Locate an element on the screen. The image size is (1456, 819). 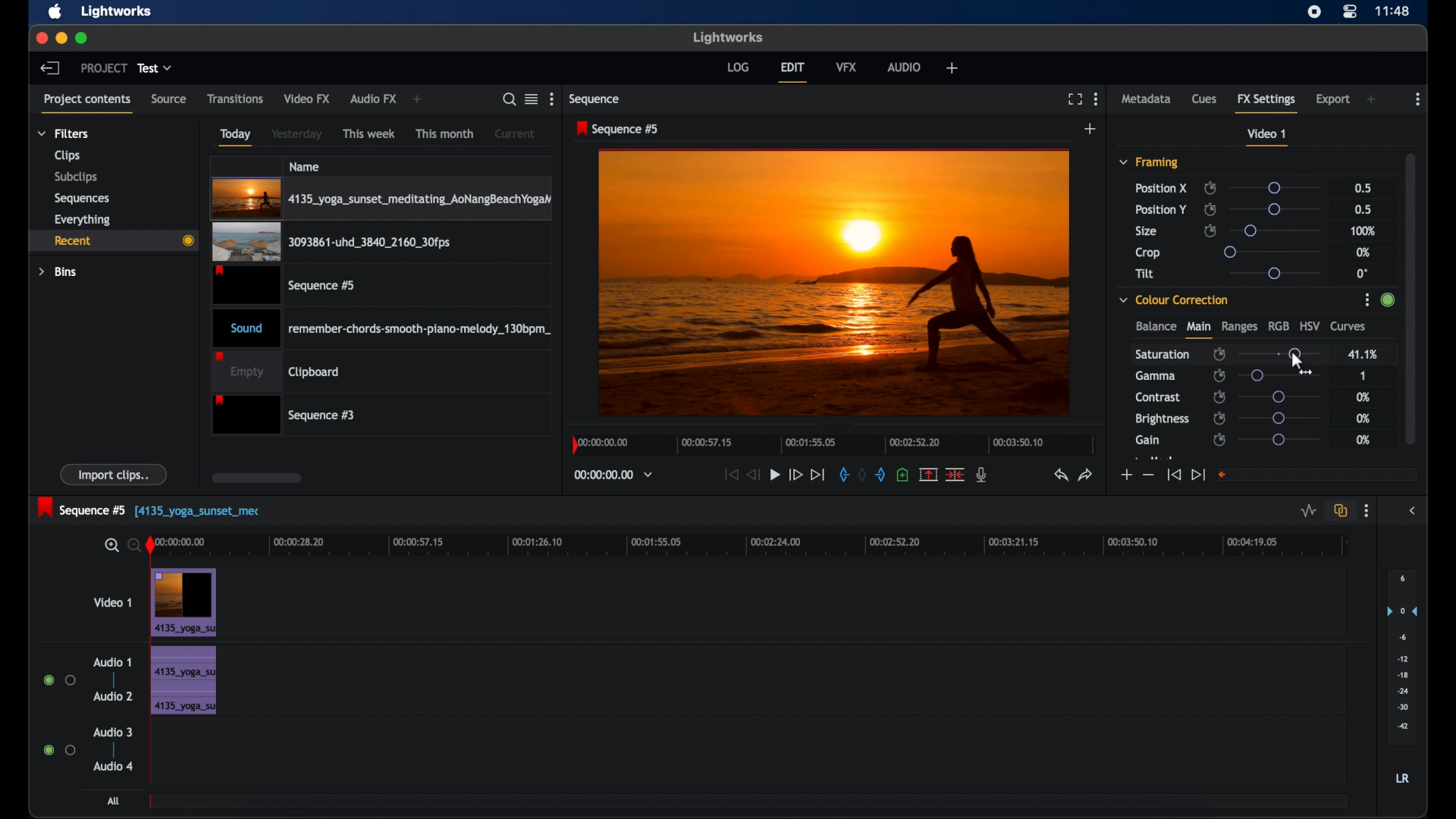
audio 3 is located at coordinates (112, 732).